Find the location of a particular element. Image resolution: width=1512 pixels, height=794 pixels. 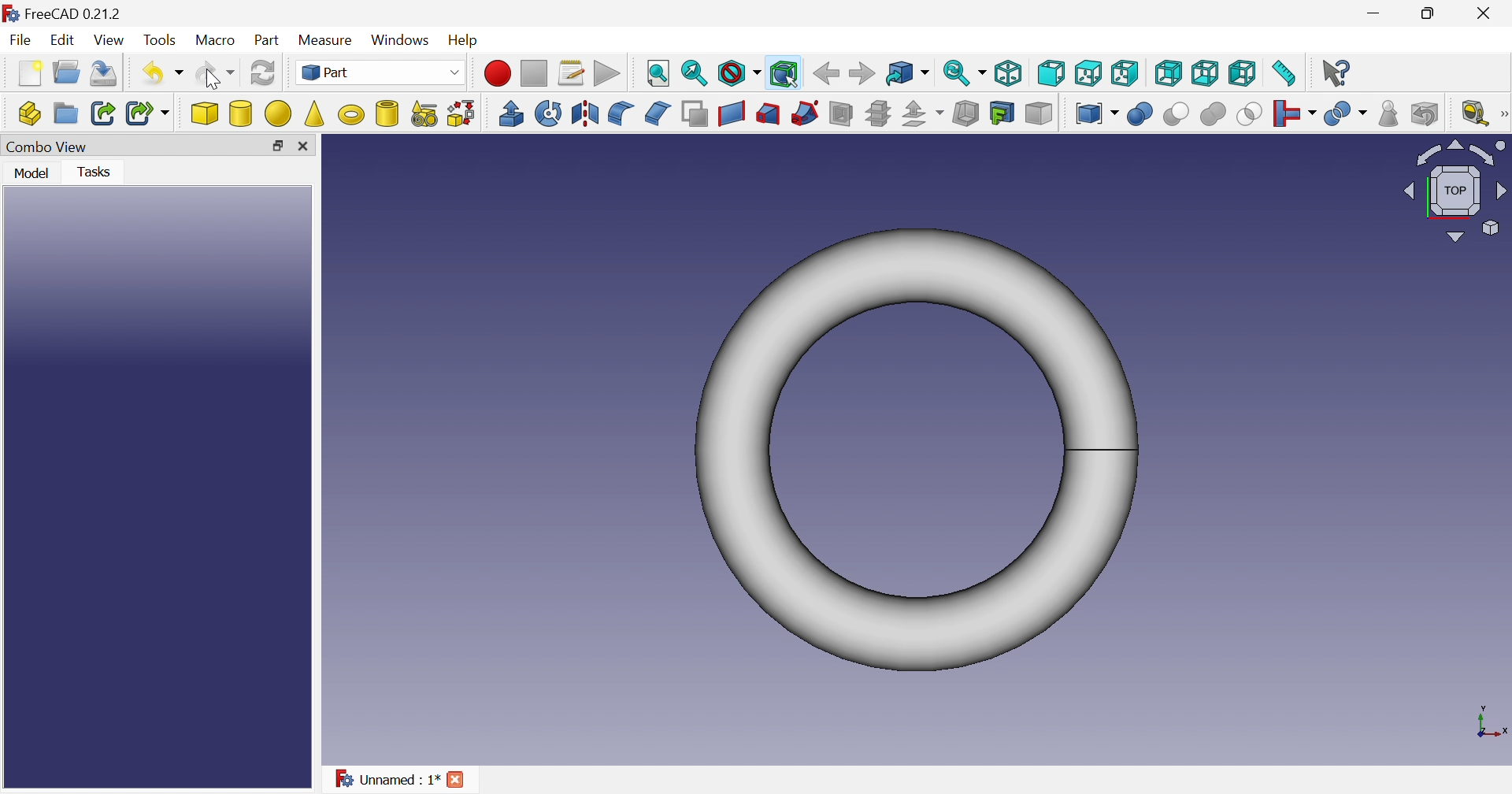

Tasks is located at coordinates (97, 172).